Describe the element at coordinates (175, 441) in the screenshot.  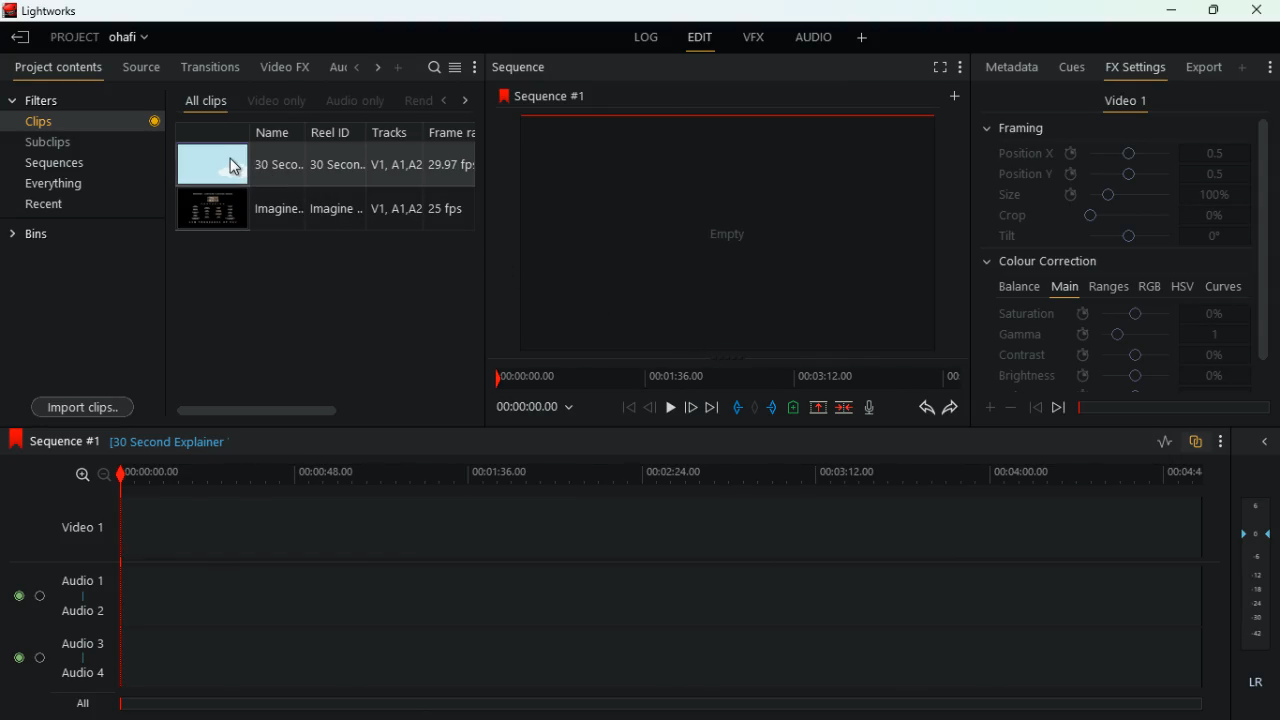
I see `explanation` at that location.